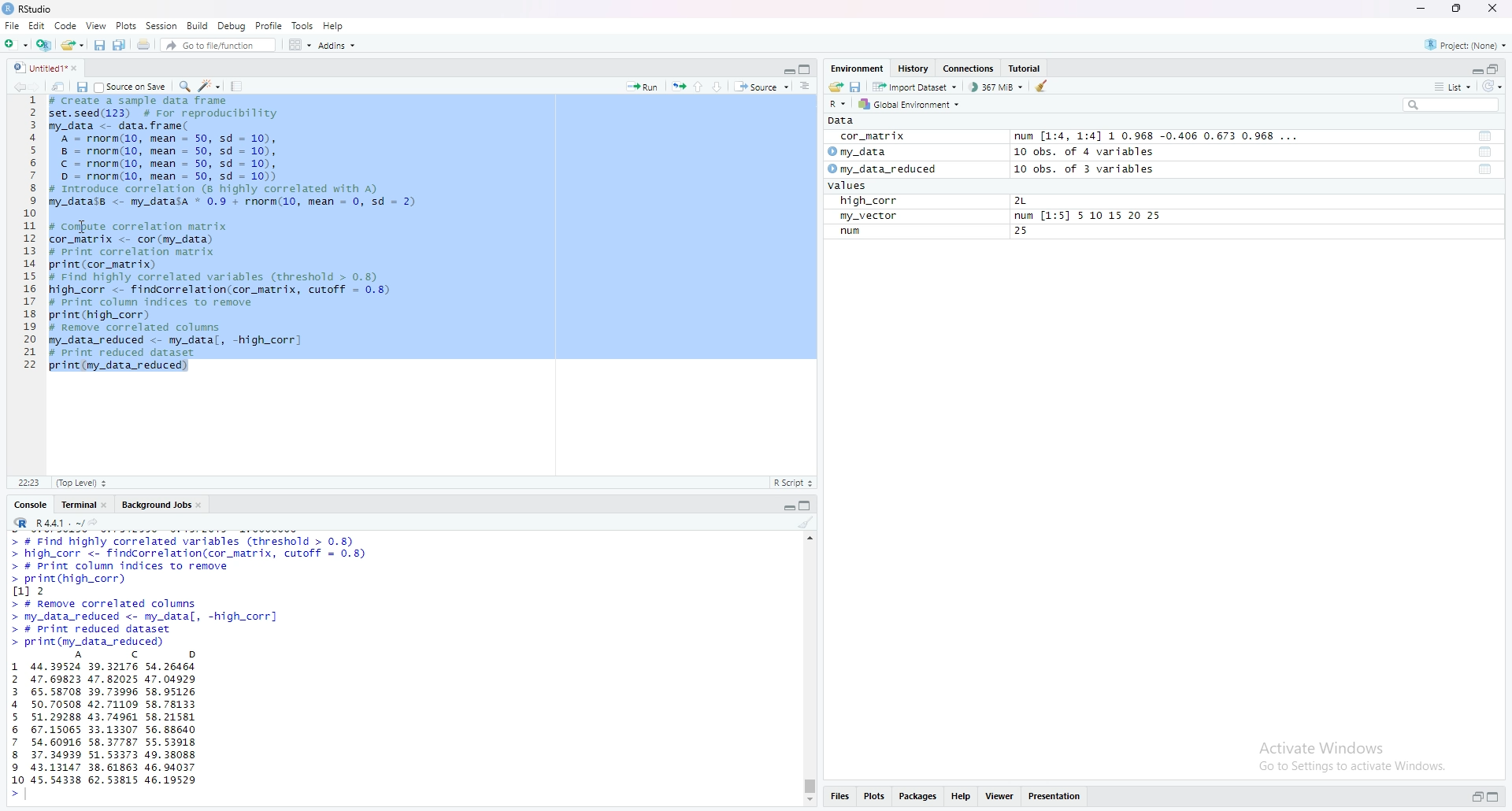 This screenshot has width=1512, height=811. Describe the element at coordinates (106, 505) in the screenshot. I see `close` at that location.